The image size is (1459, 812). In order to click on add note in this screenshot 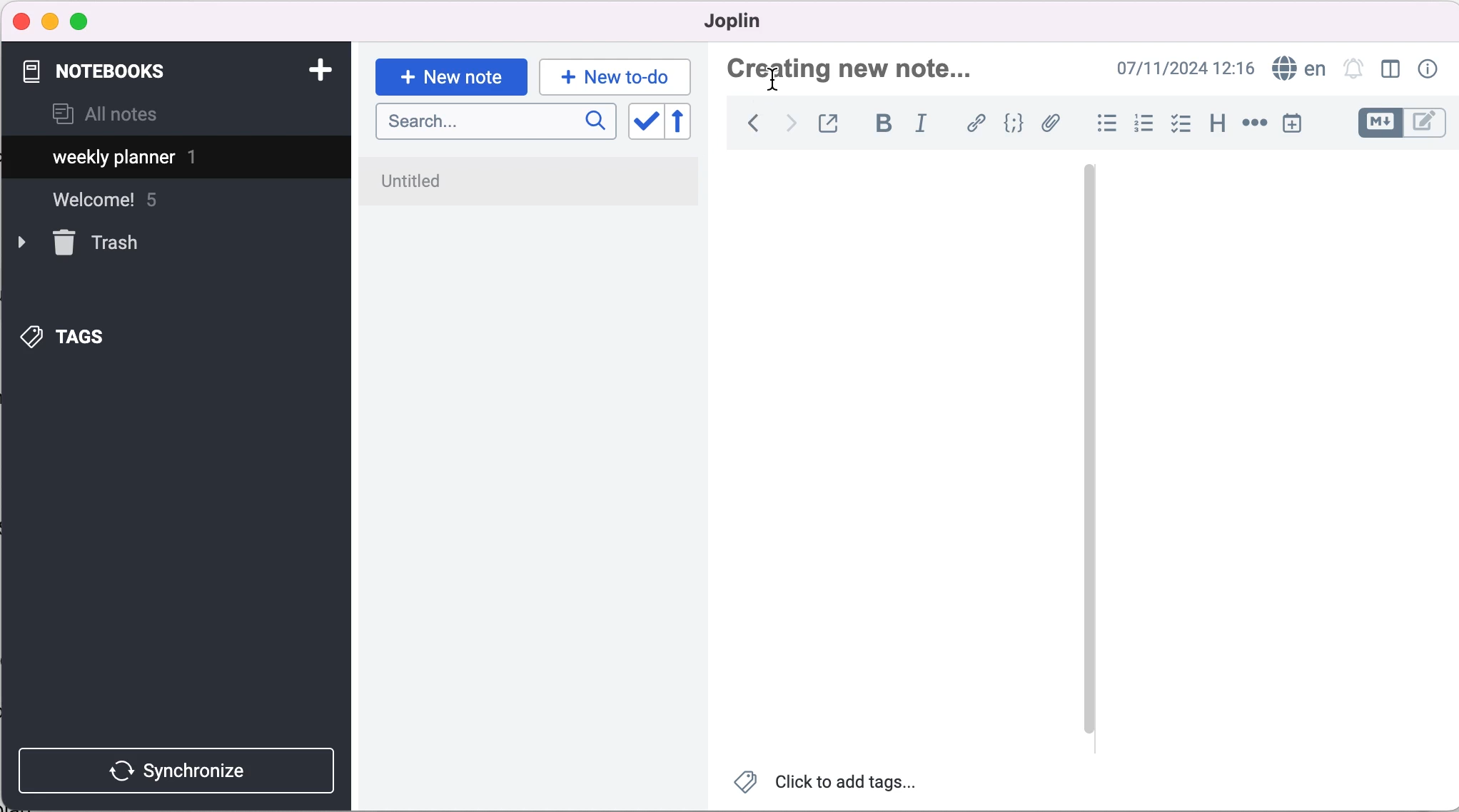, I will do `click(319, 68)`.